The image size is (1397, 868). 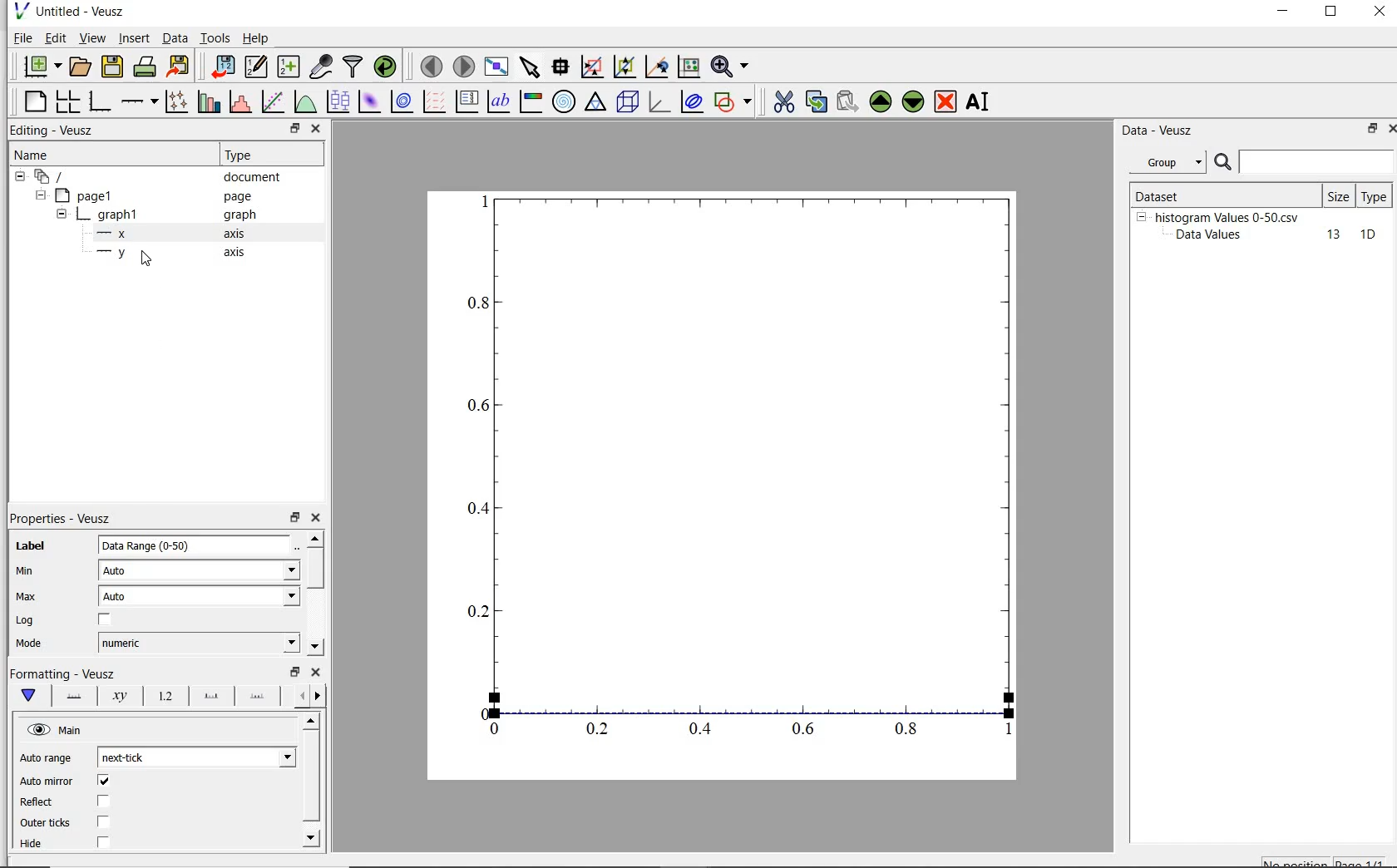 I want to click on click to reset graph axes, so click(x=591, y=67).